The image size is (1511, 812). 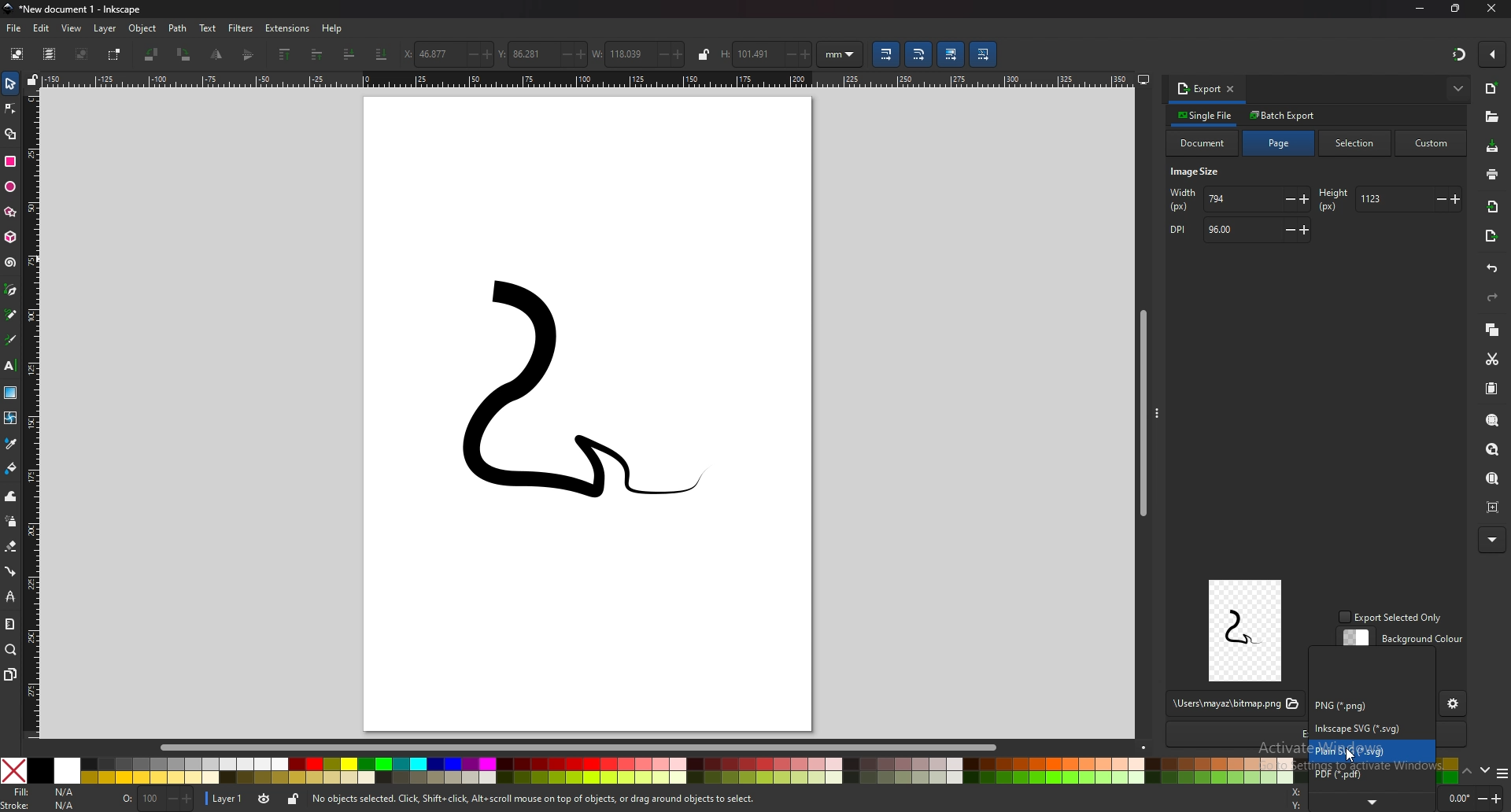 What do you see at coordinates (116, 54) in the screenshot?
I see `toggle selection box` at bounding box center [116, 54].